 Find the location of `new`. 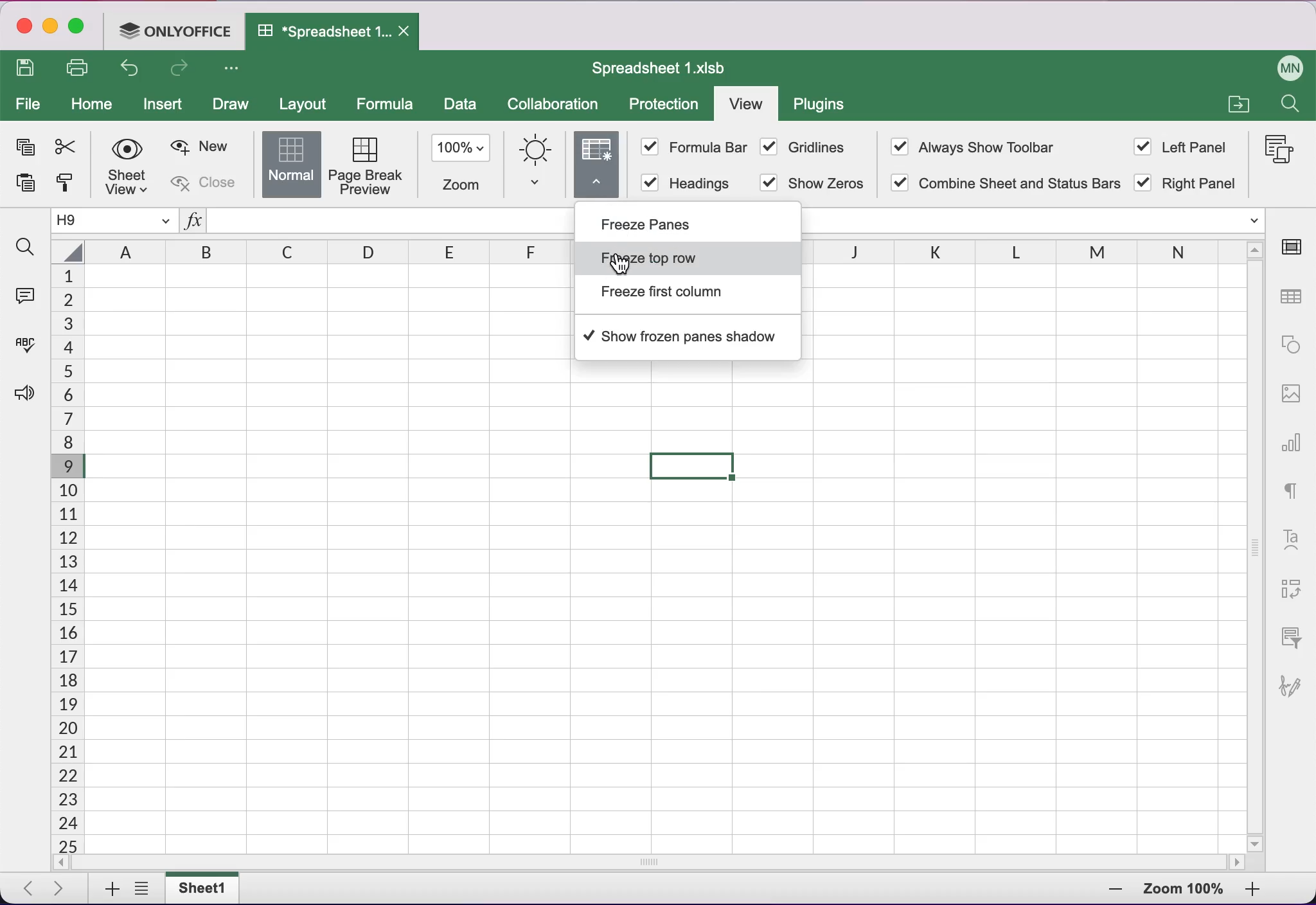

new is located at coordinates (200, 145).